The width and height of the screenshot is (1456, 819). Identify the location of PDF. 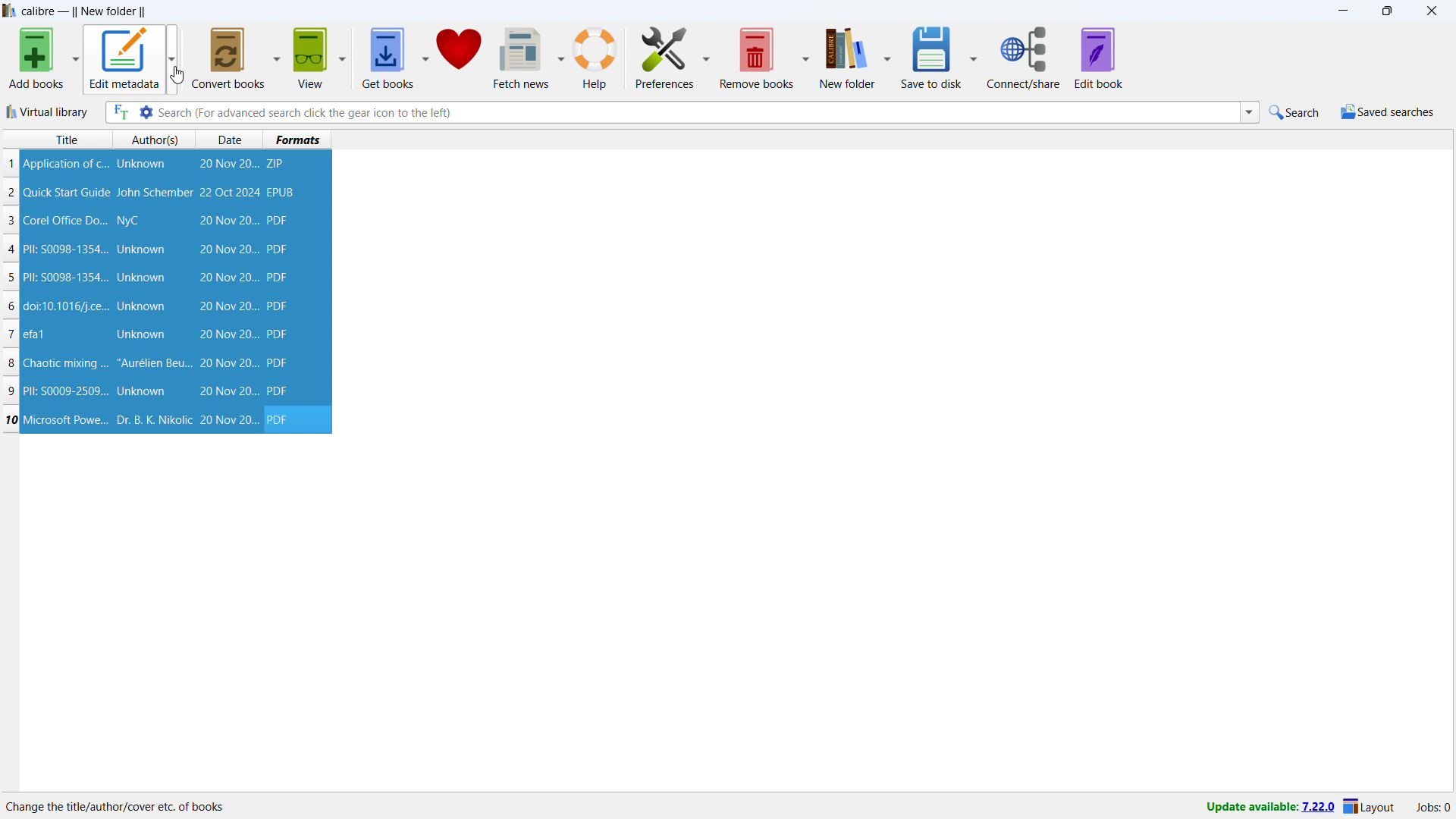
(277, 277).